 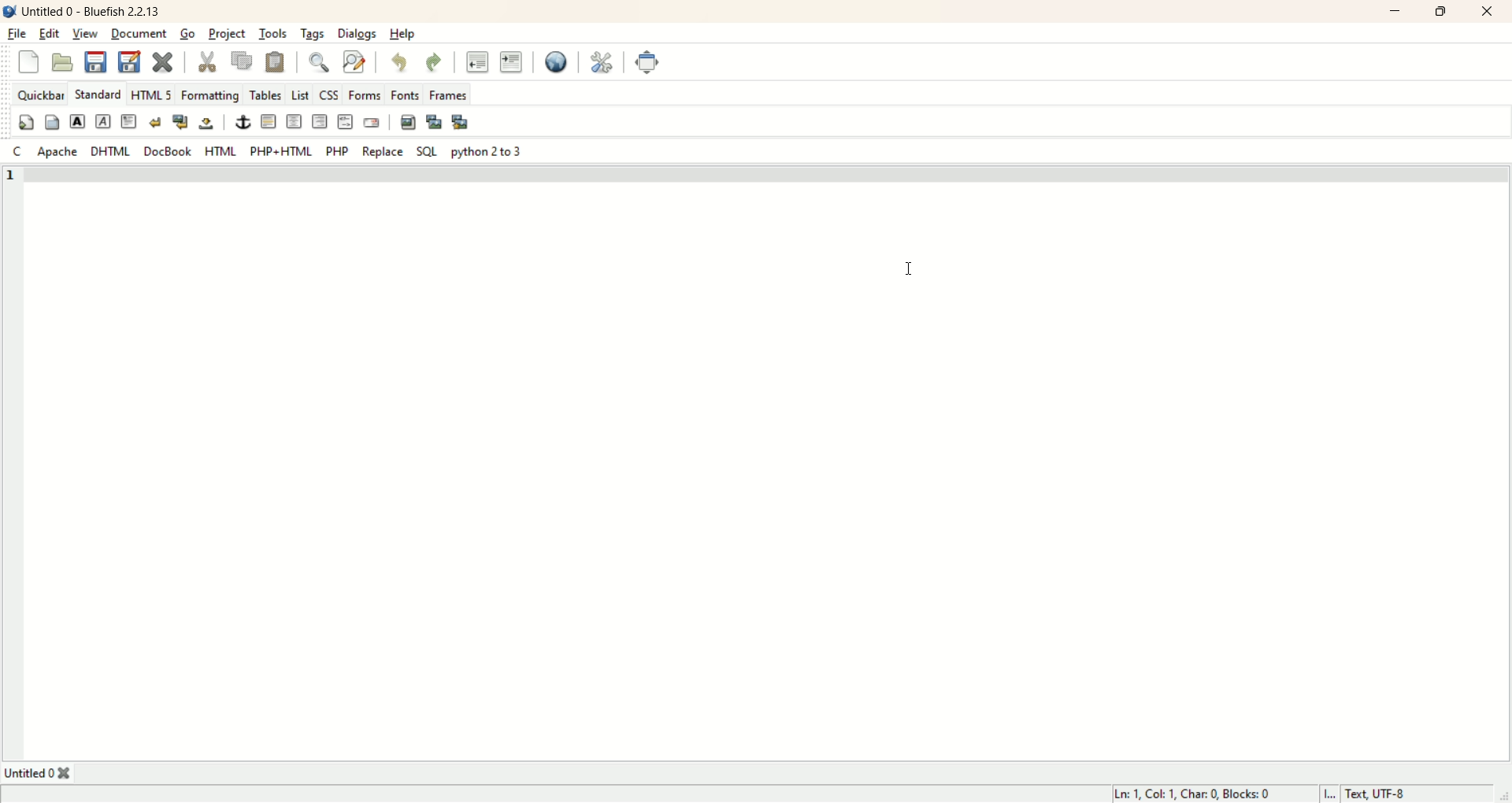 I want to click on save all file, so click(x=128, y=64).